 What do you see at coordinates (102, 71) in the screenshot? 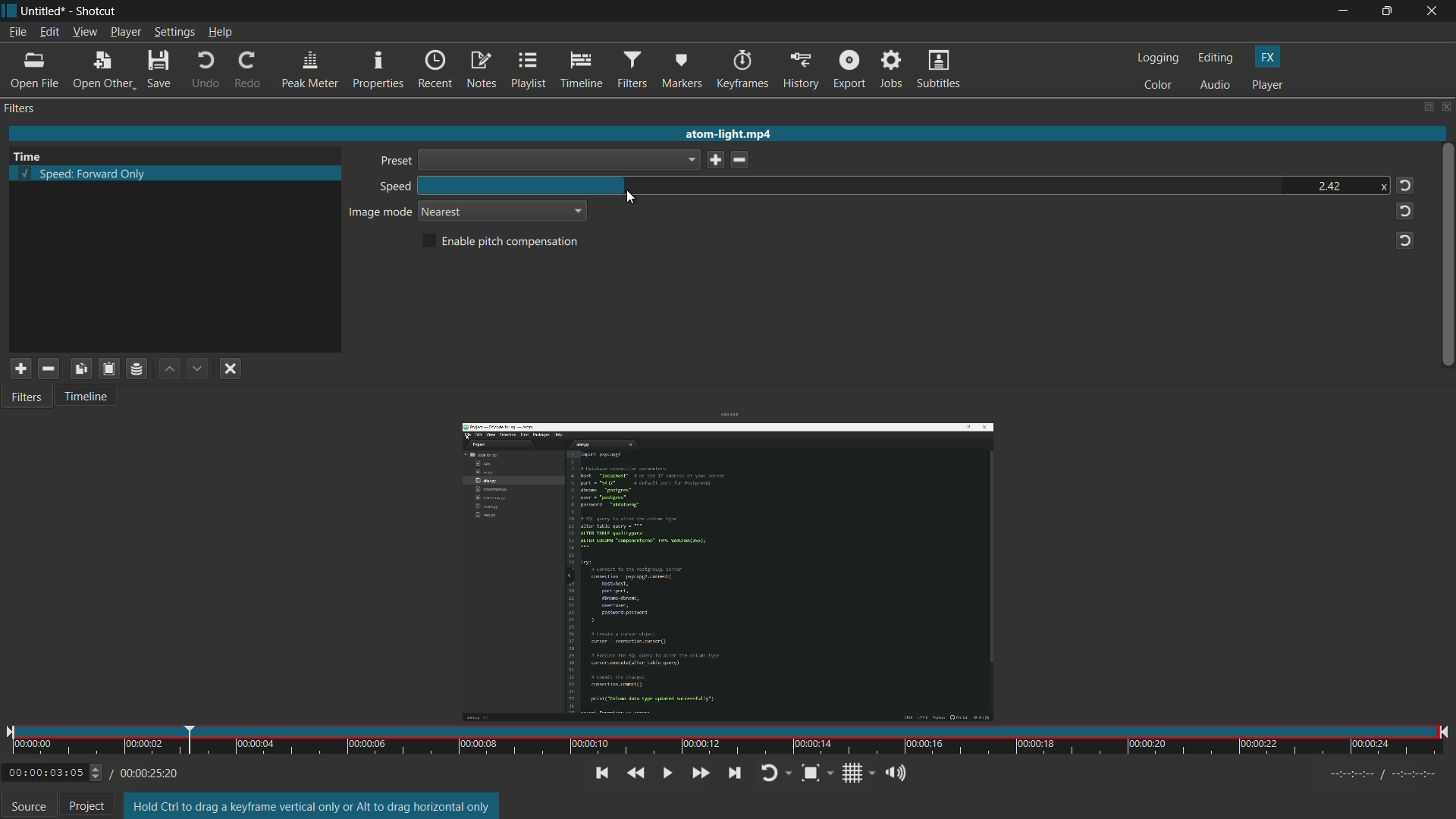
I see `open other` at bounding box center [102, 71].